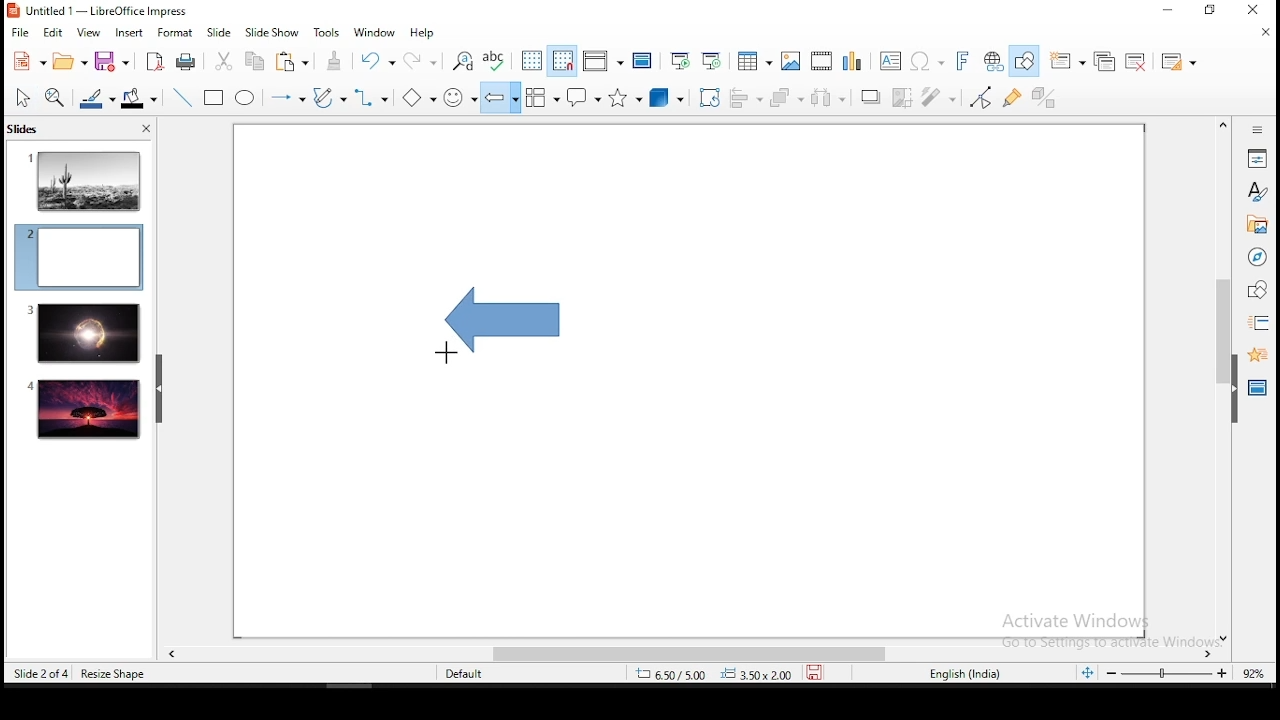  What do you see at coordinates (187, 61) in the screenshot?
I see `print` at bounding box center [187, 61].